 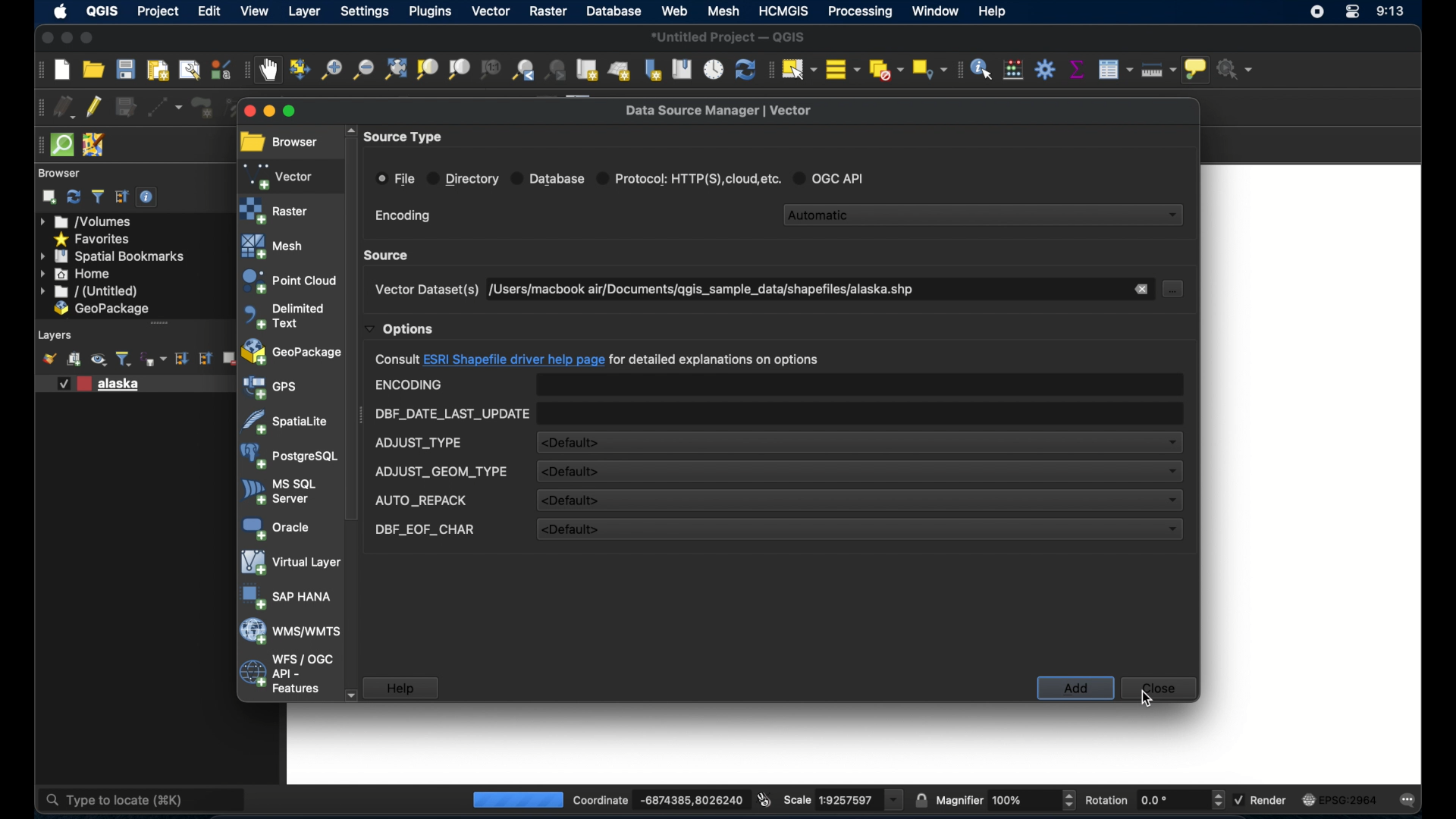 I want to click on vector, so click(x=490, y=11).